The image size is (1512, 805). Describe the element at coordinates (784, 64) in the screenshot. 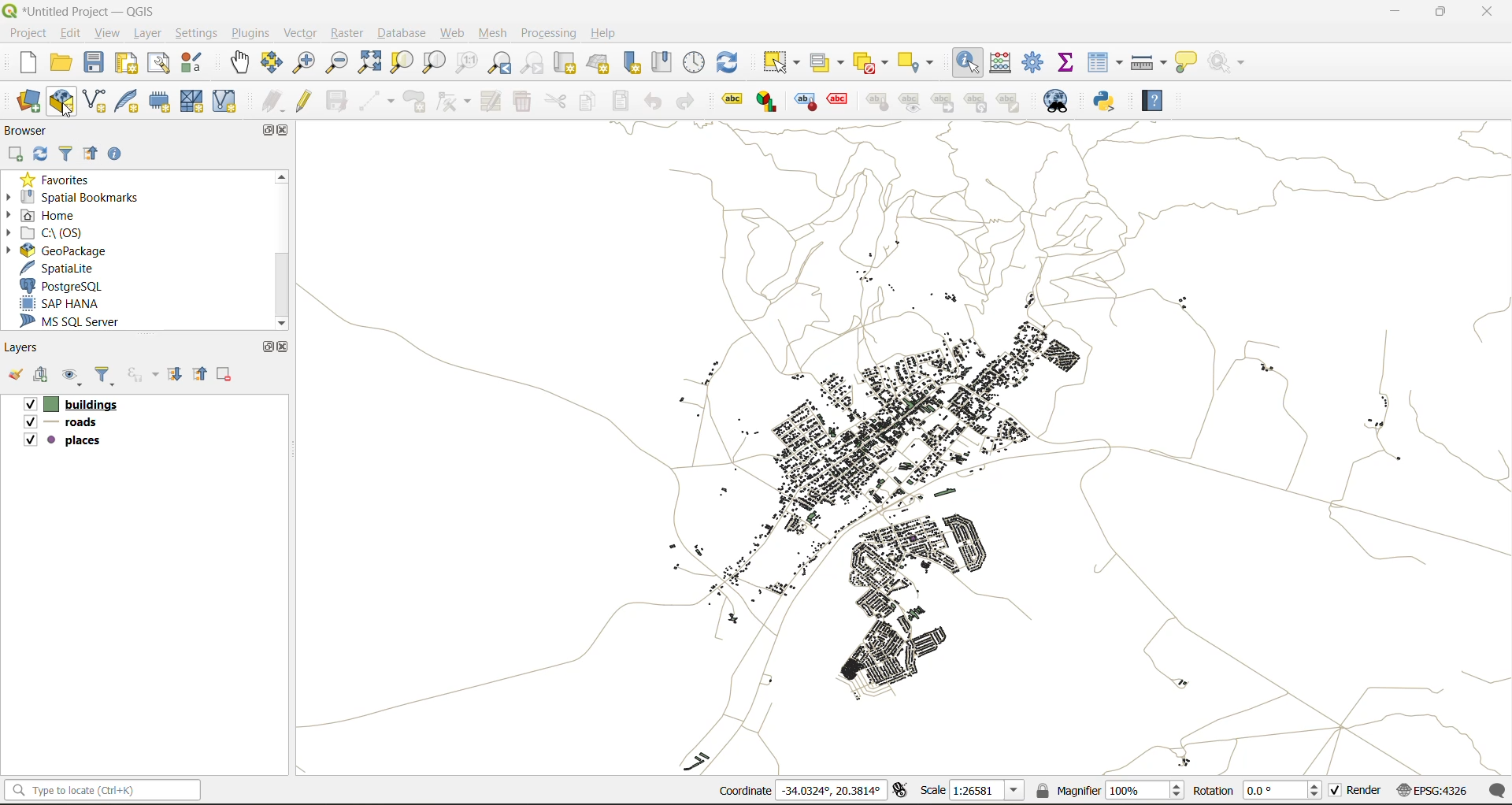

I see `select` at that location.